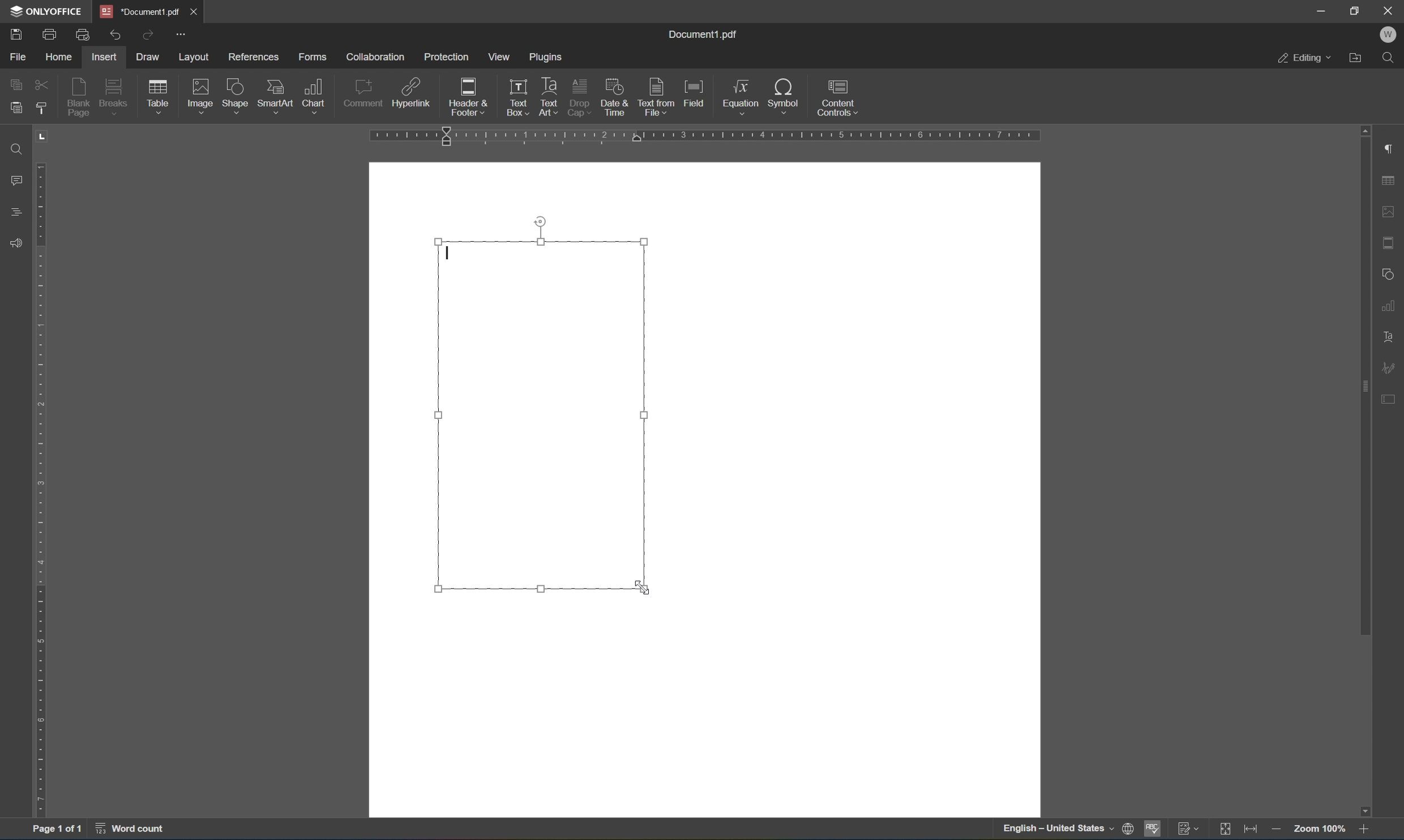 The width and height of the screenshot is (1404, 840). Describe the element at coordinates (61, 57) in the screenshot. I see `home` at that location.